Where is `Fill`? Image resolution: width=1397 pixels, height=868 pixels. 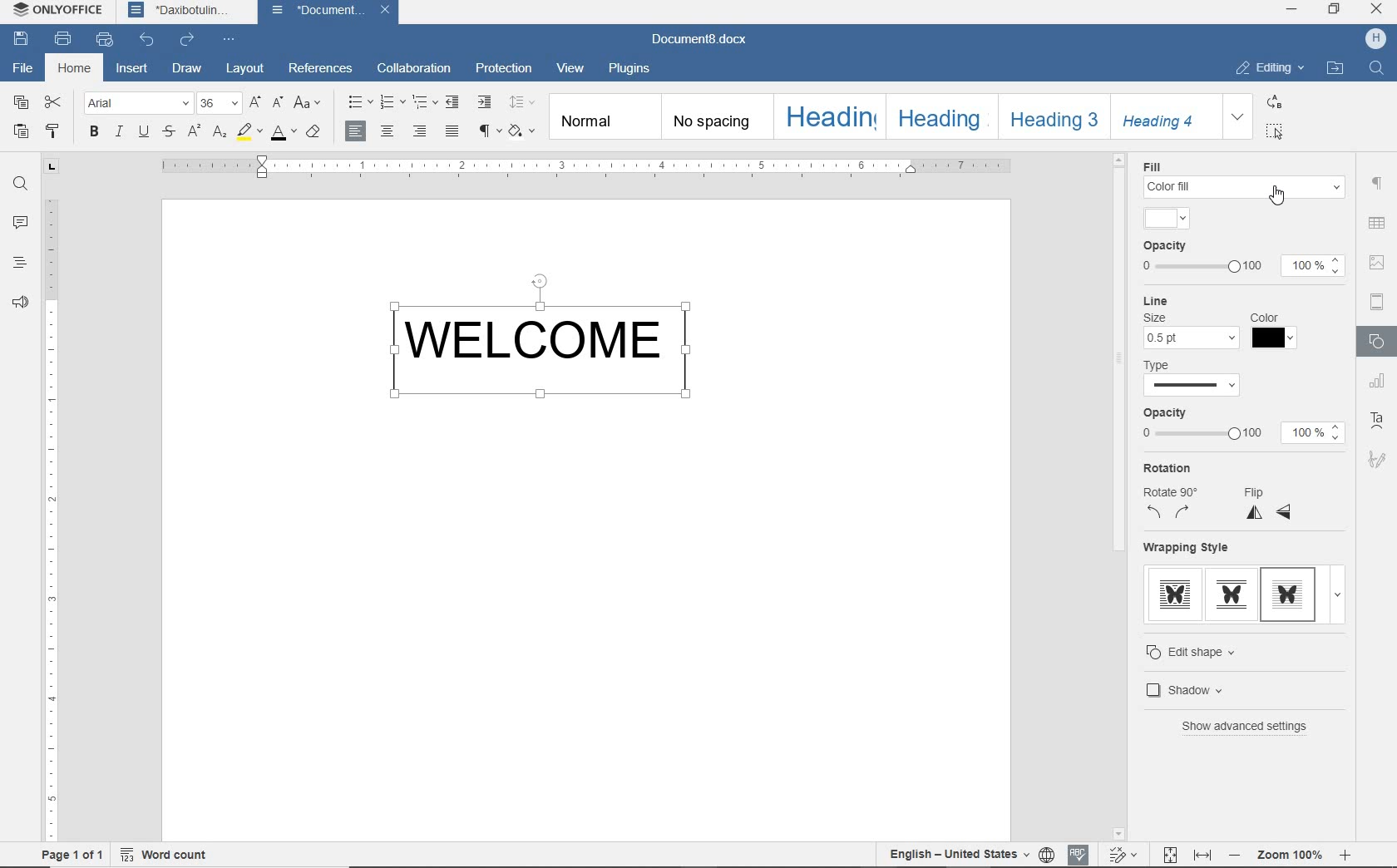 Fill is located at coordinates (1152, 166).